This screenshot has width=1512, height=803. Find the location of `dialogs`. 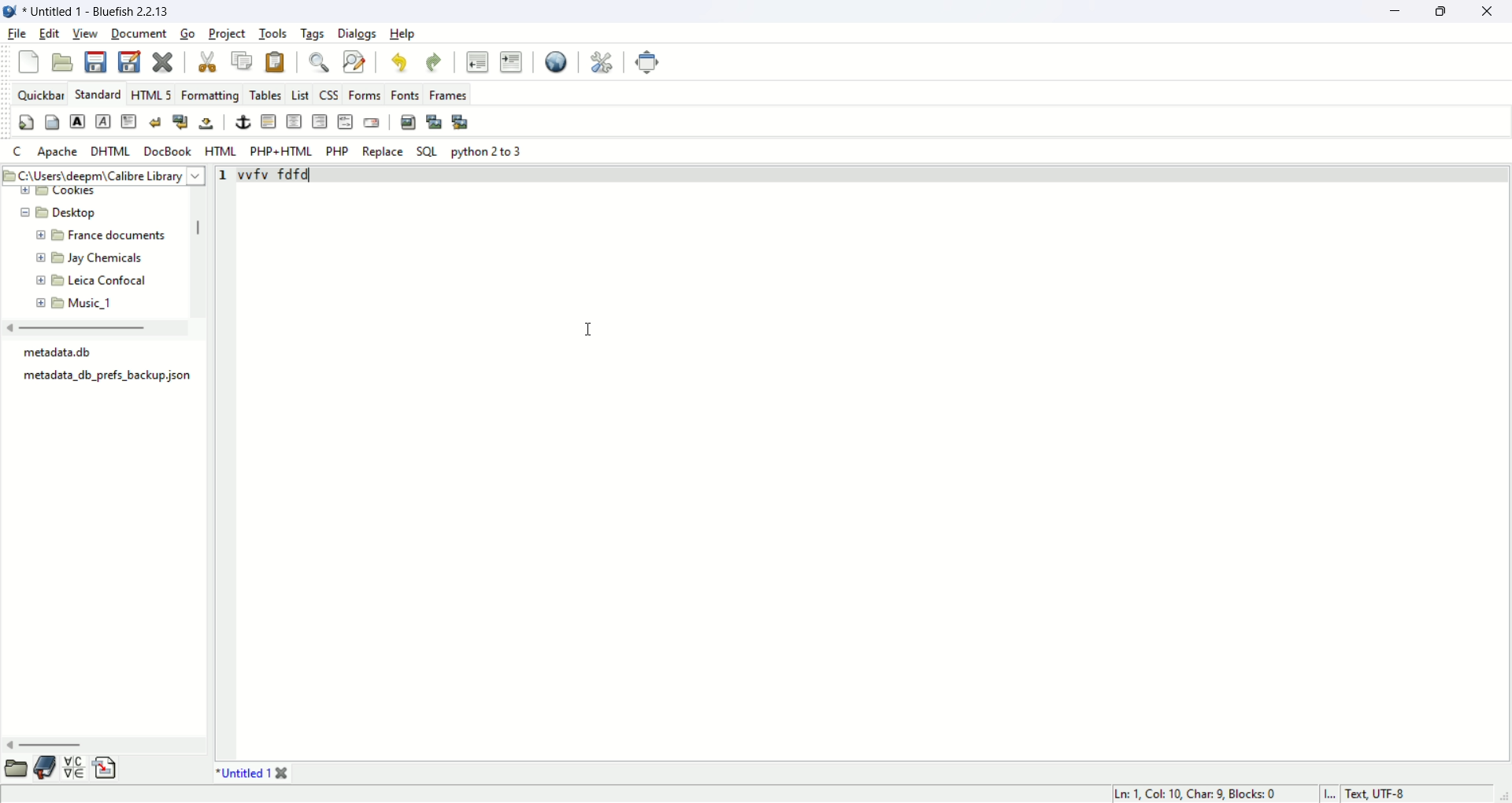

dialogs is located at coordinates (358, 35).